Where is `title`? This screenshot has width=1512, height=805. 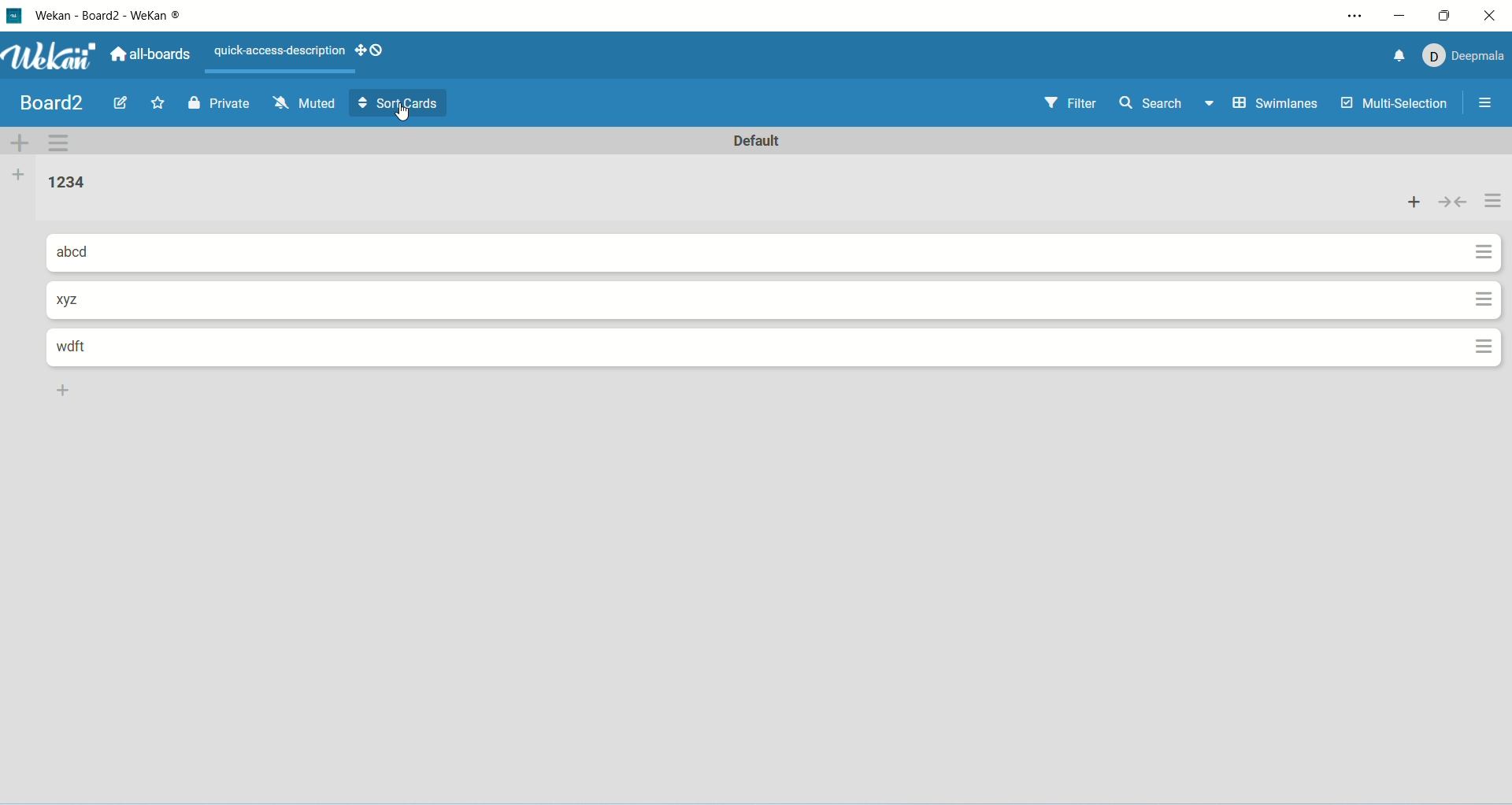 title is located at coordinates (122, 17).